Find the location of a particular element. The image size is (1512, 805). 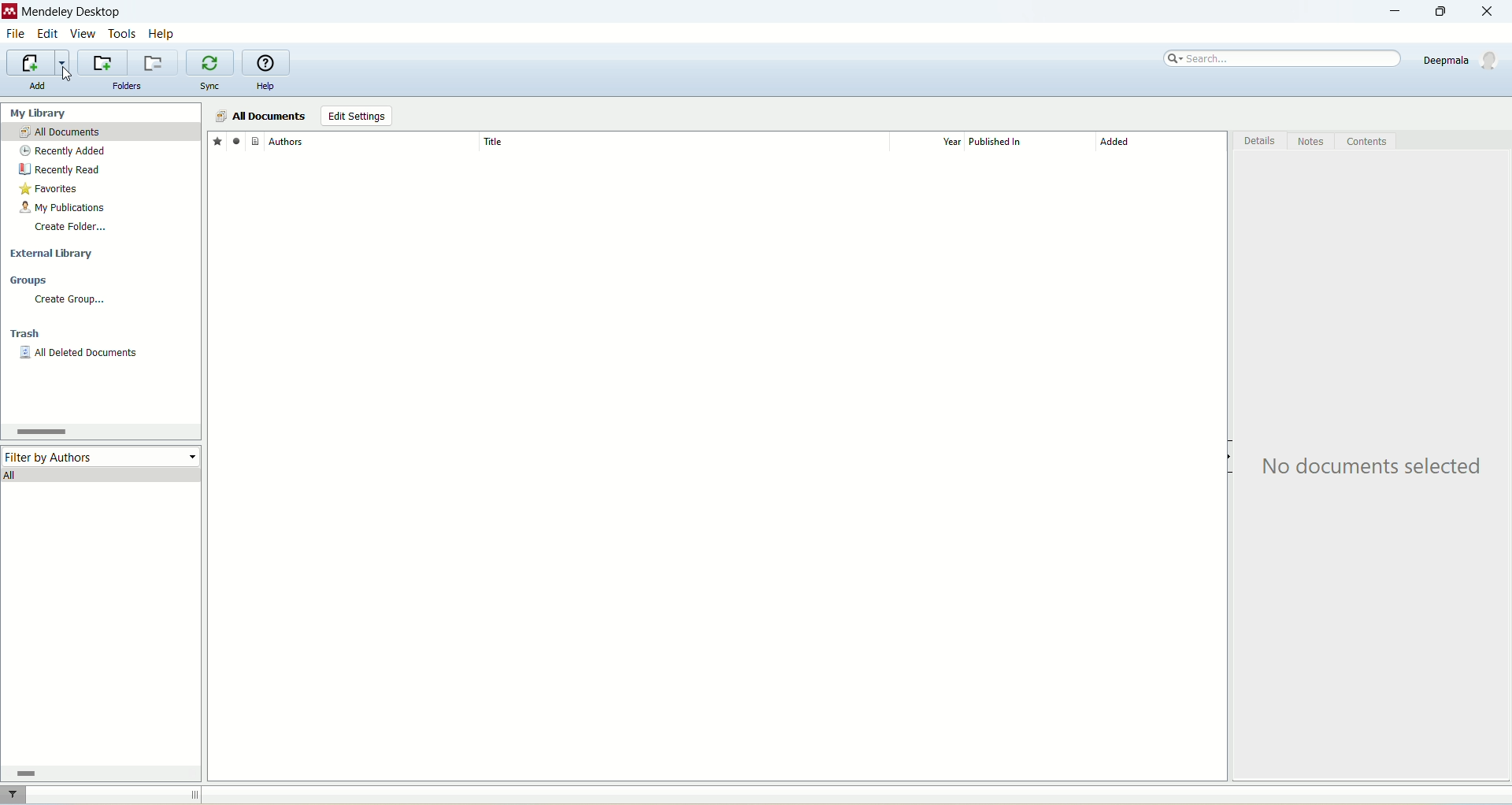

published in is located at coordinates (1024, 142).